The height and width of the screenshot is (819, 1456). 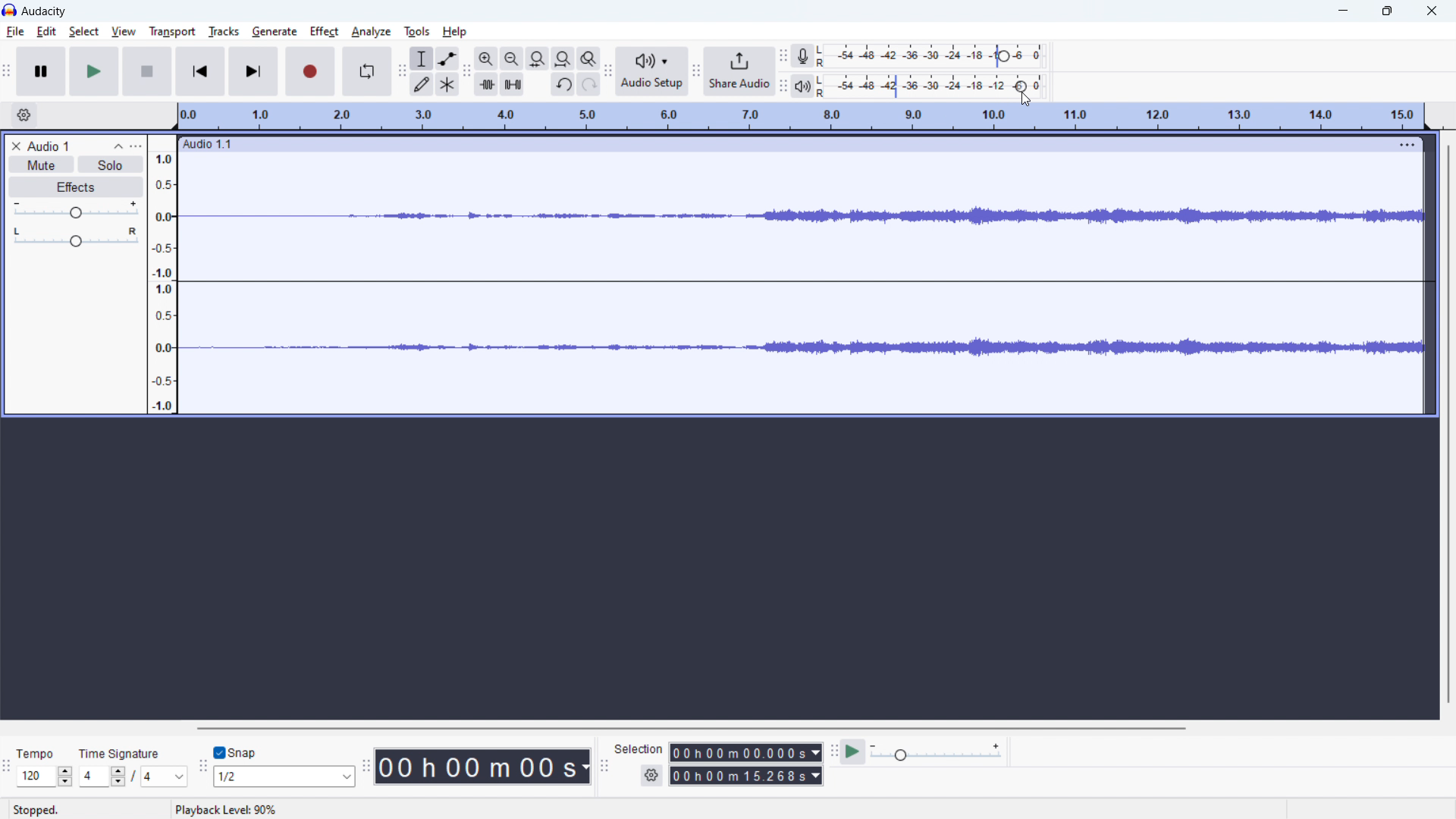 What do you see at coordinates (284, 776) in the screenshot?
I see `select snap` at bounding box center [284, 776].